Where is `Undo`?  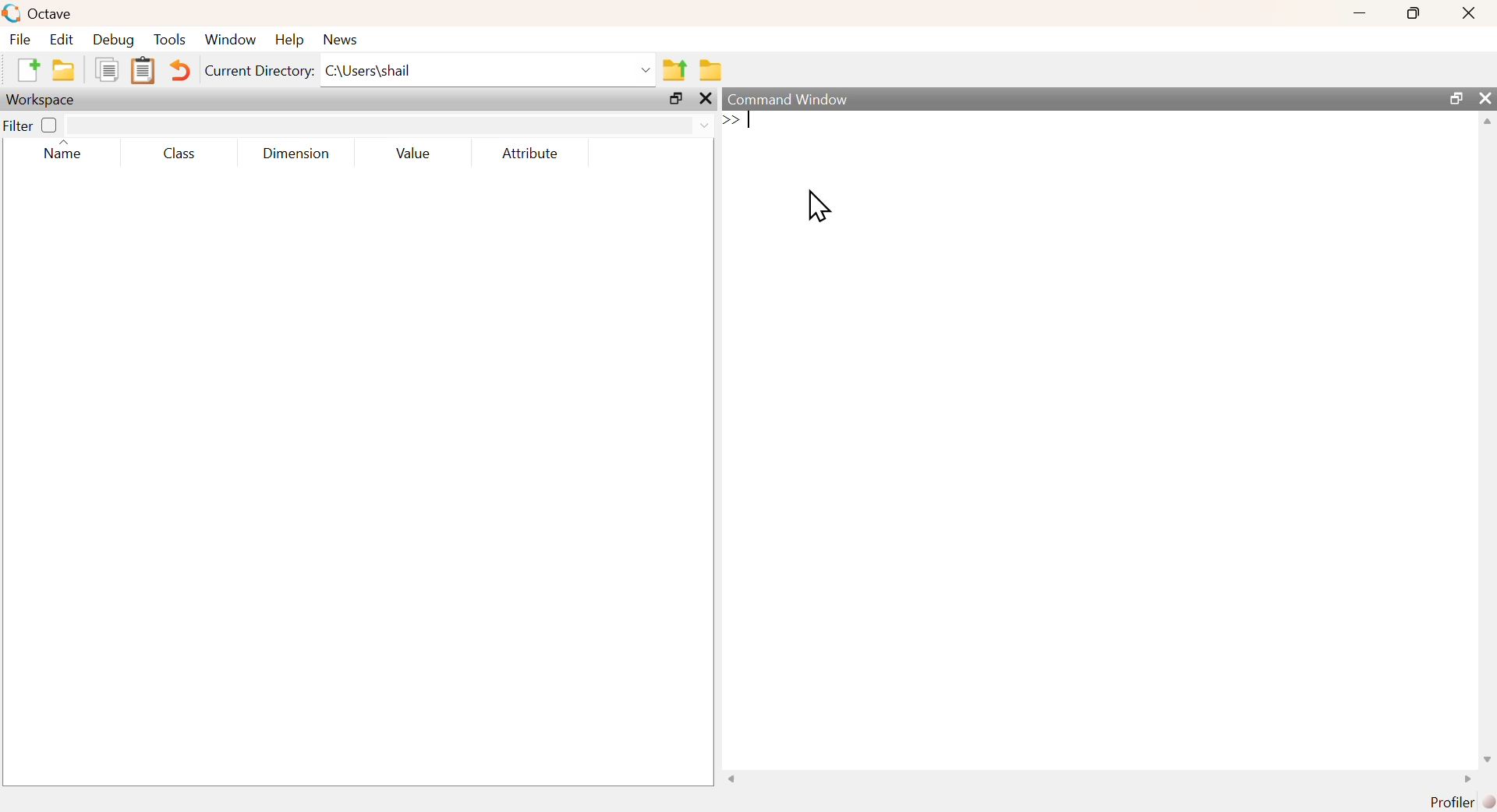
Undo is located at coordinates (179, 70).